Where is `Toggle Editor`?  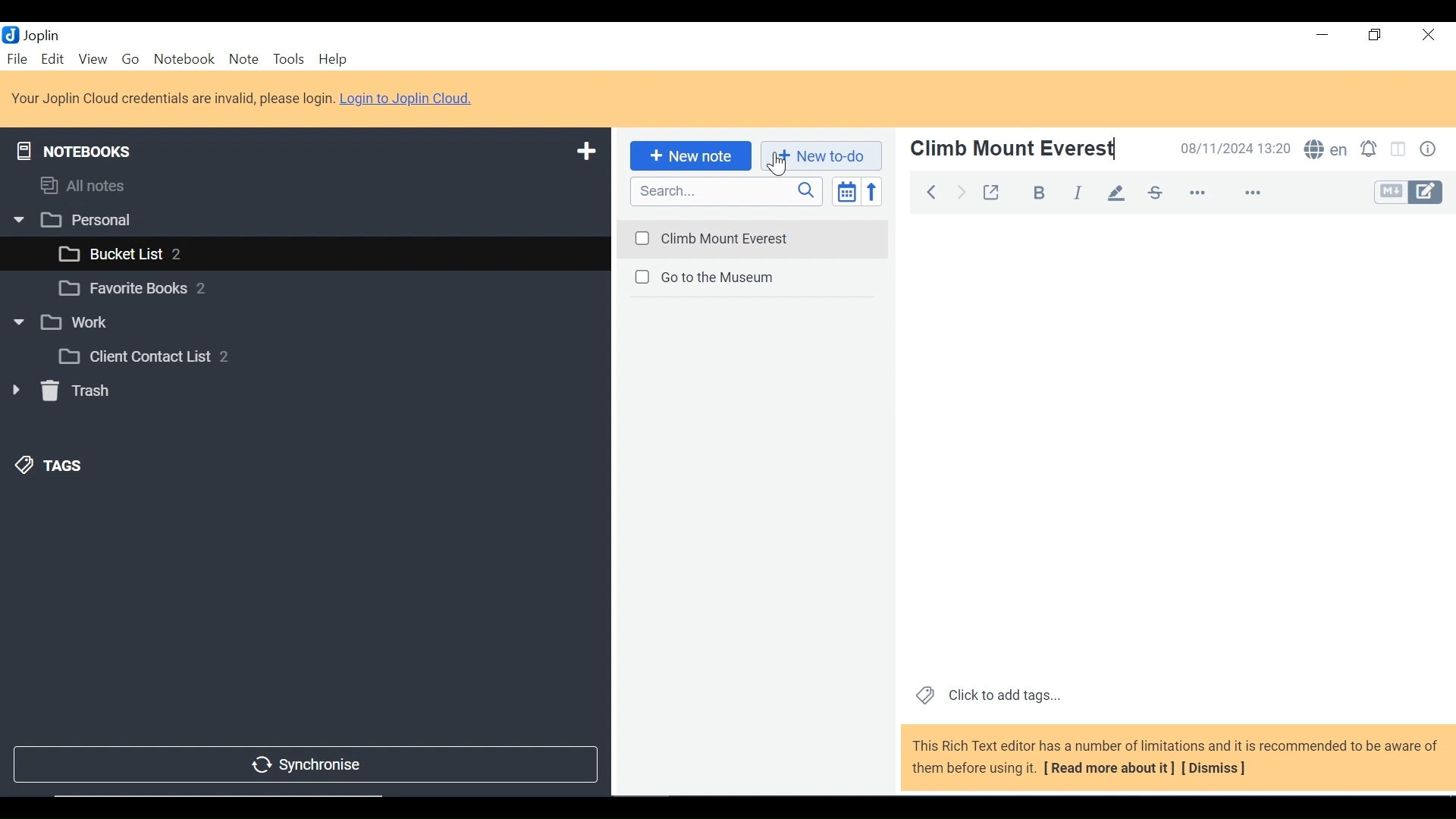
Toggle Editor is located at coordinates (1407, 193).